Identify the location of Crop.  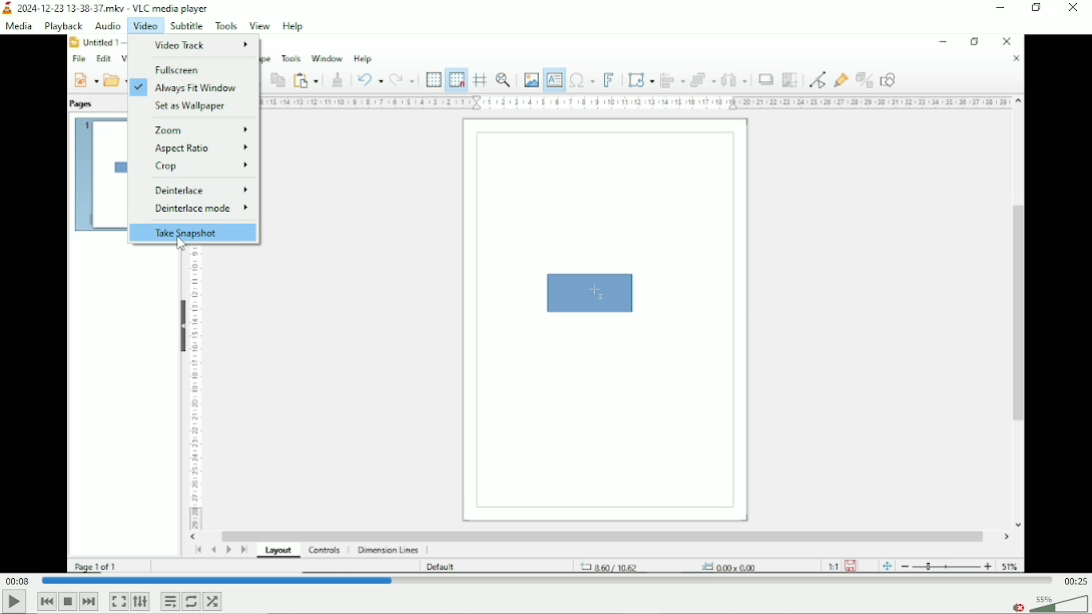
(202, 166).